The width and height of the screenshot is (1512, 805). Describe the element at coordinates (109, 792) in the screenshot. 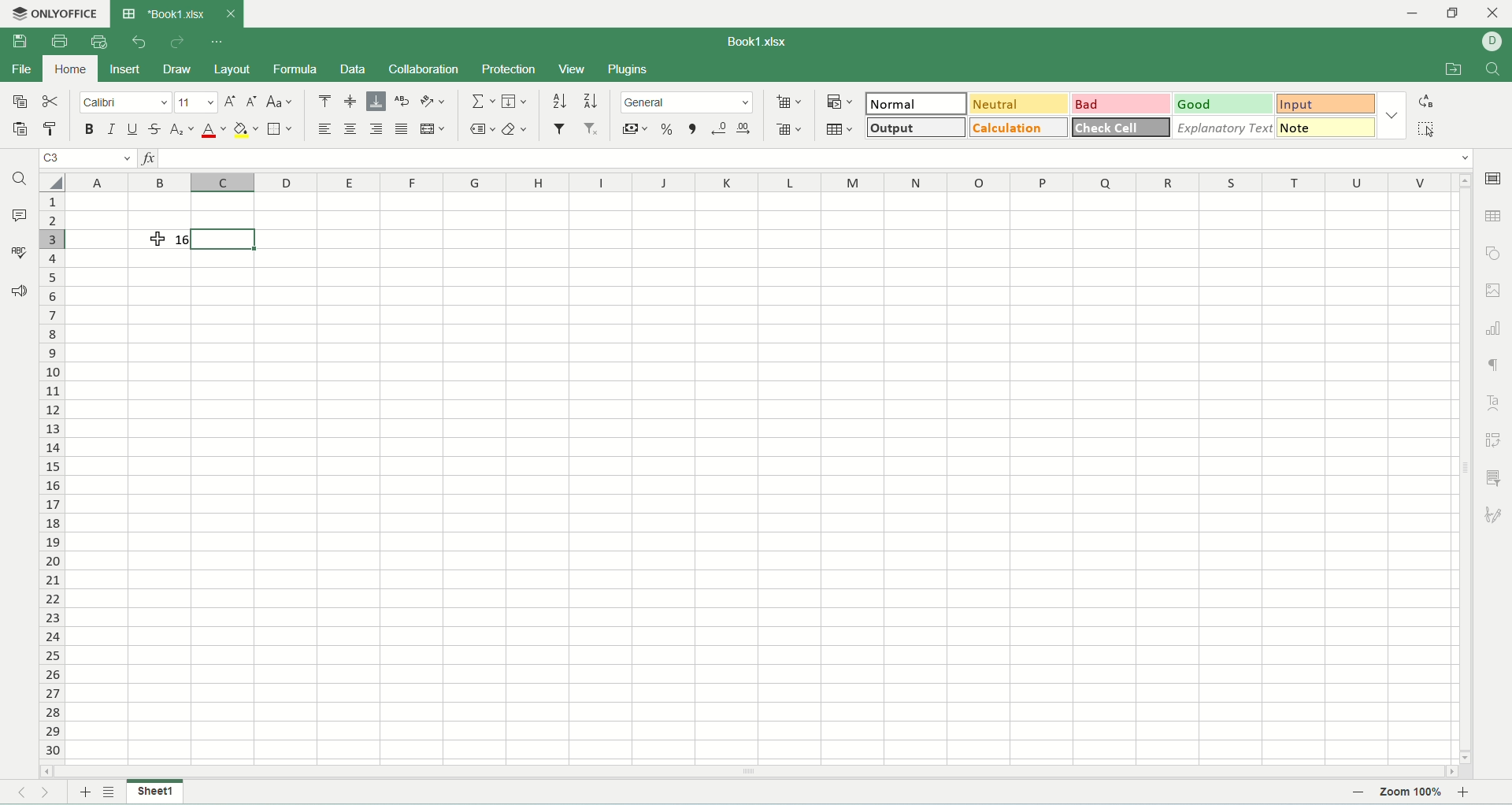

I see `list of sheet` at that location.